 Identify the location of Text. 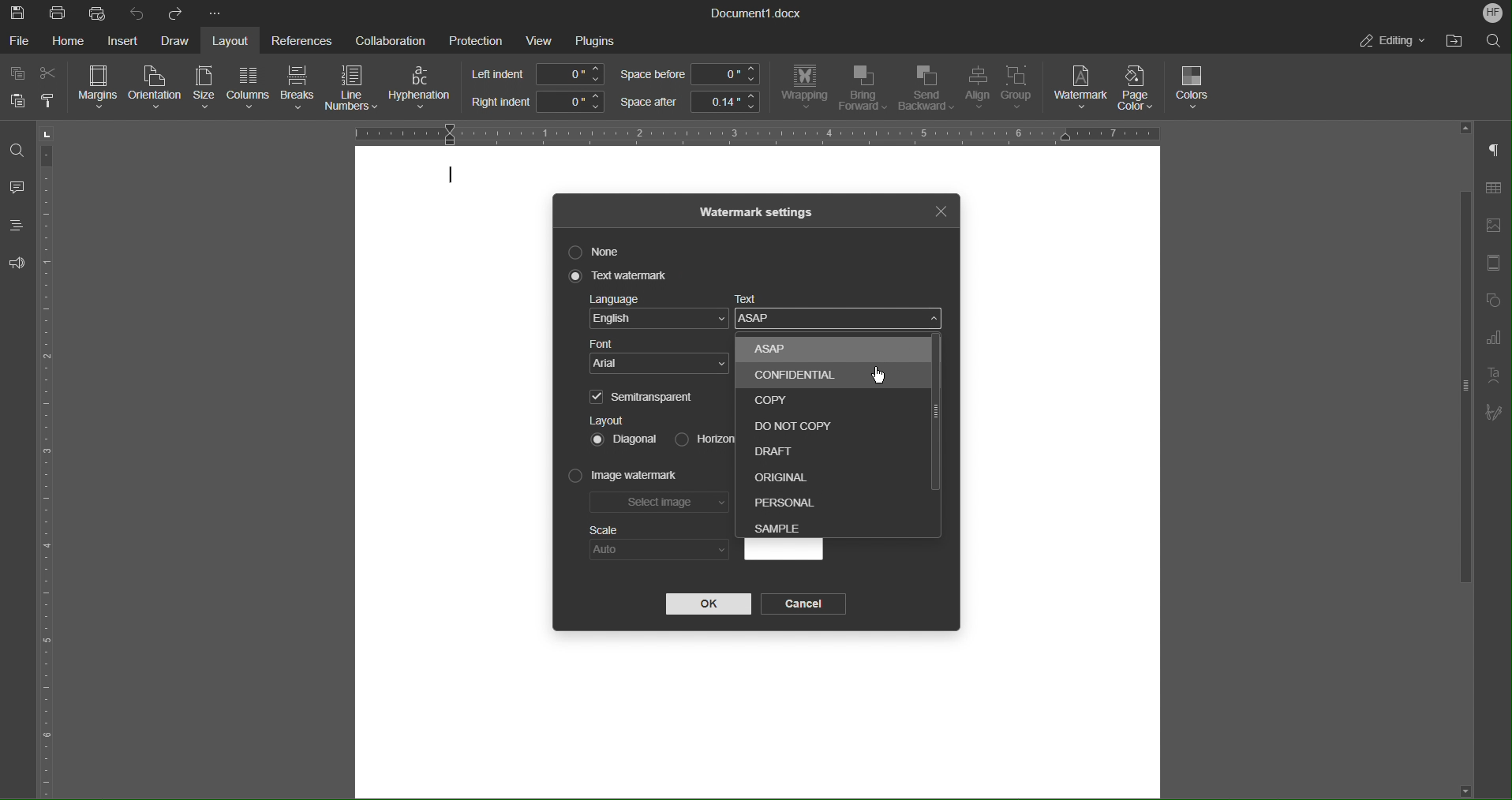
(842, 315).